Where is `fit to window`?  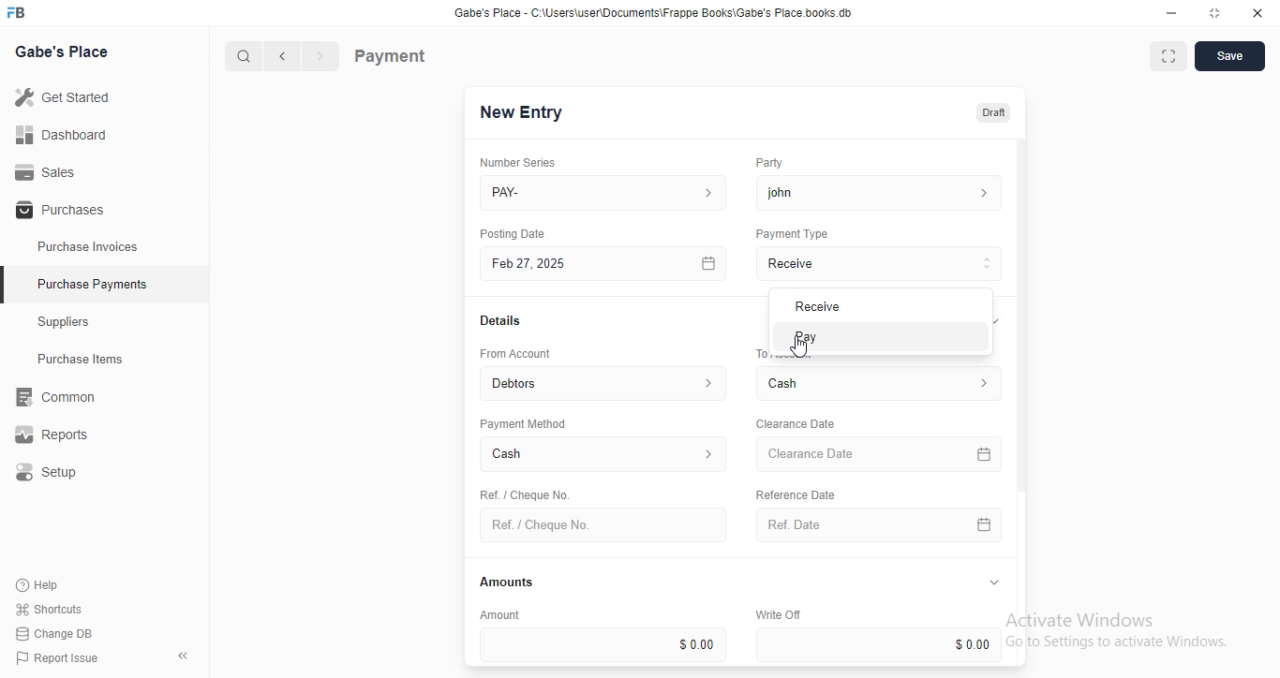 fit to window is located at coordinates (1168, 58).